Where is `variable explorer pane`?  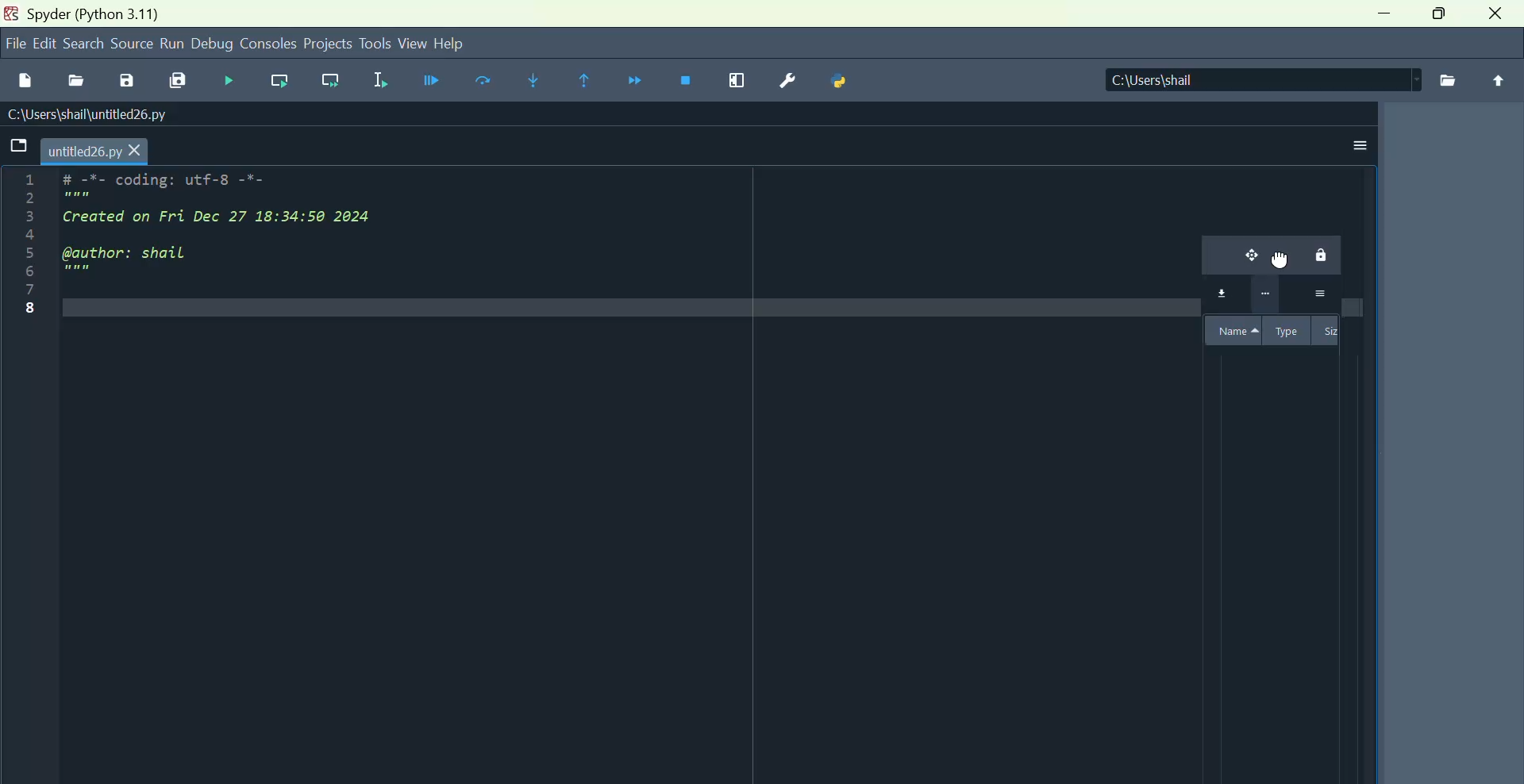
variable explorer pane is located at coordinates (1286, 509).